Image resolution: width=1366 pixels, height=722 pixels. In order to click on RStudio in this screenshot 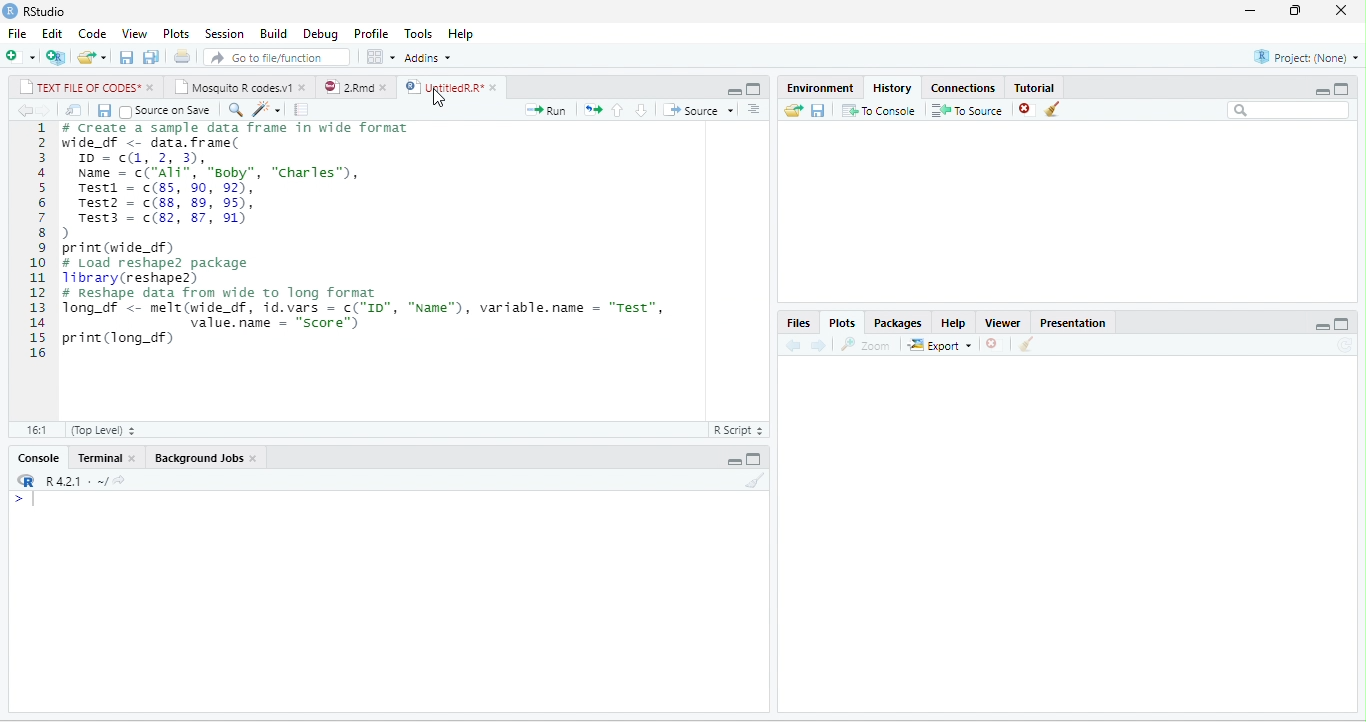, I will do `click(46, 12)`.